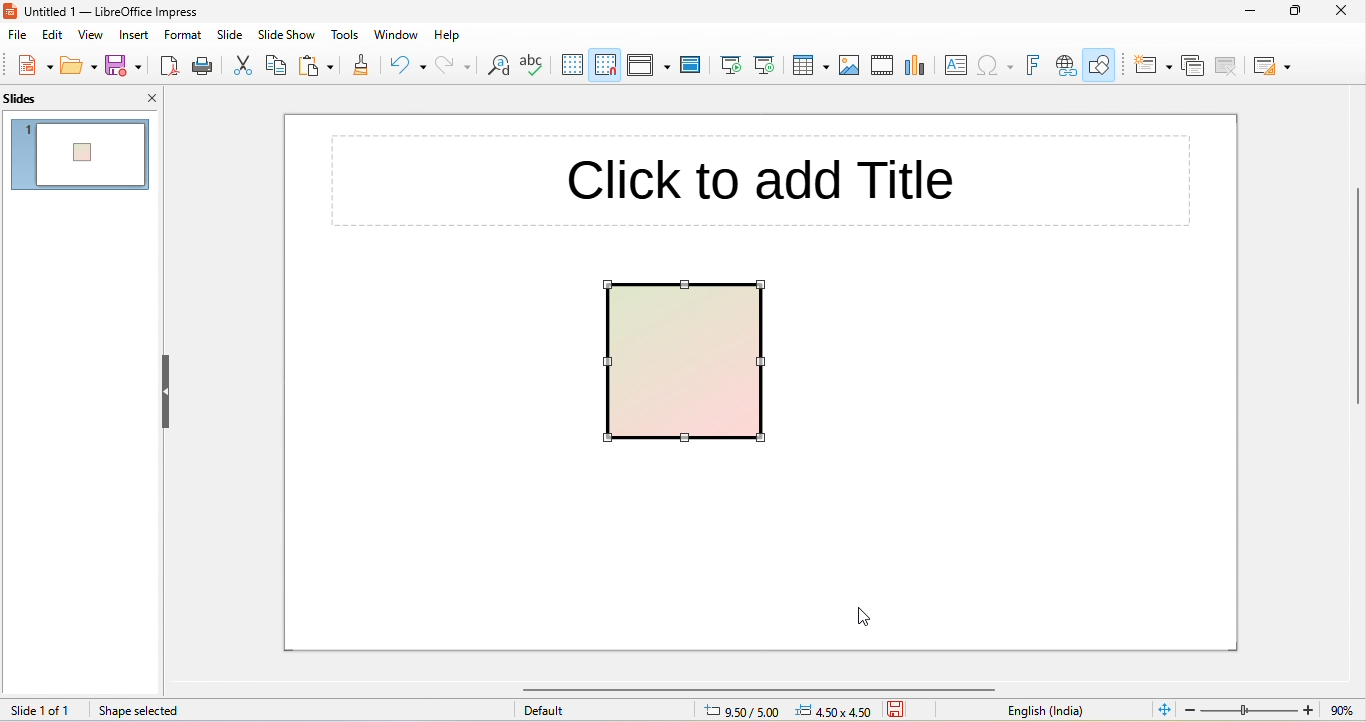 The image size is (1366, 722). I want to click on edit, so click(50, 34).